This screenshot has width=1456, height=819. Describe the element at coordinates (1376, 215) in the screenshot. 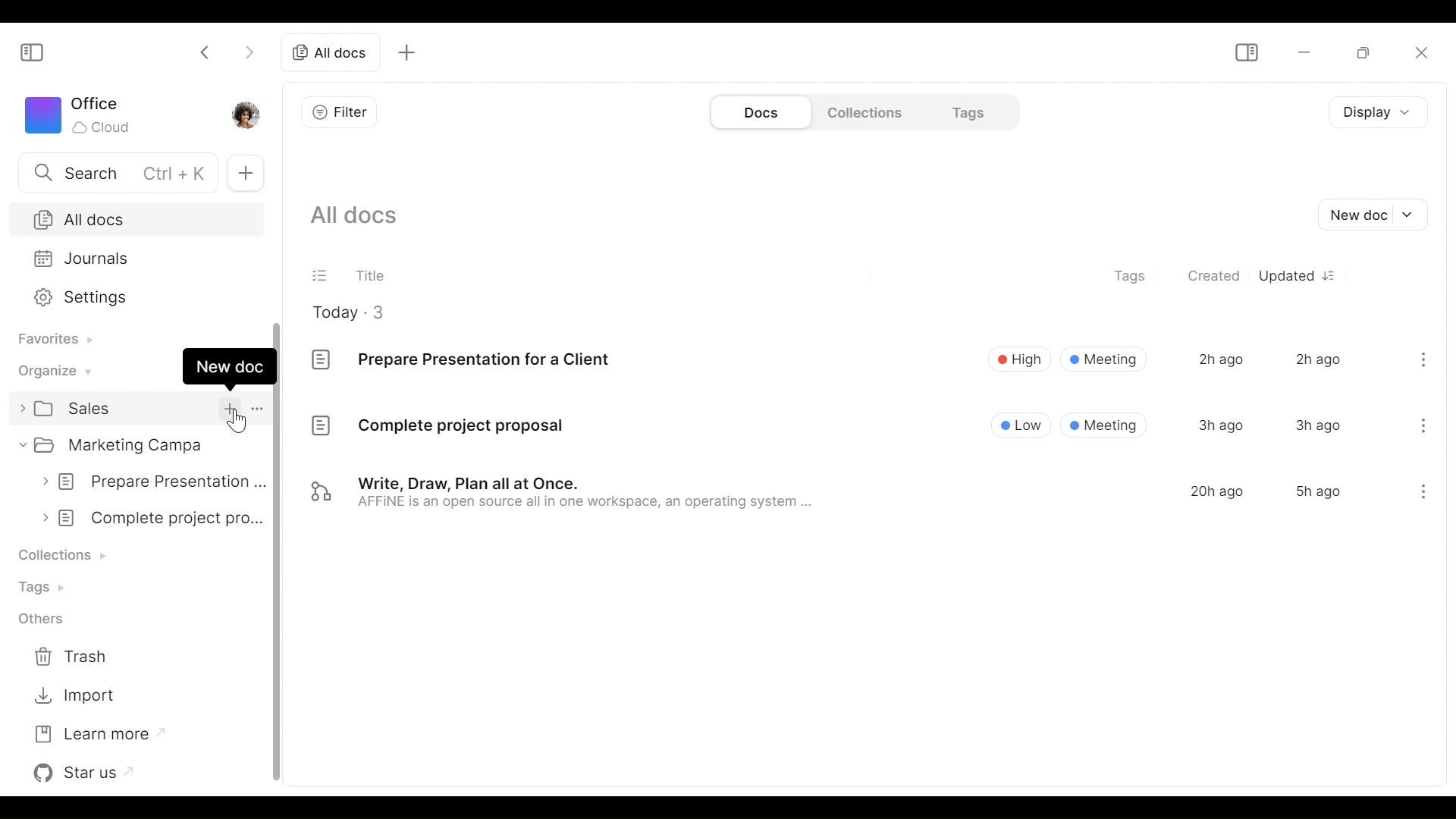

I see `New document` at that location.